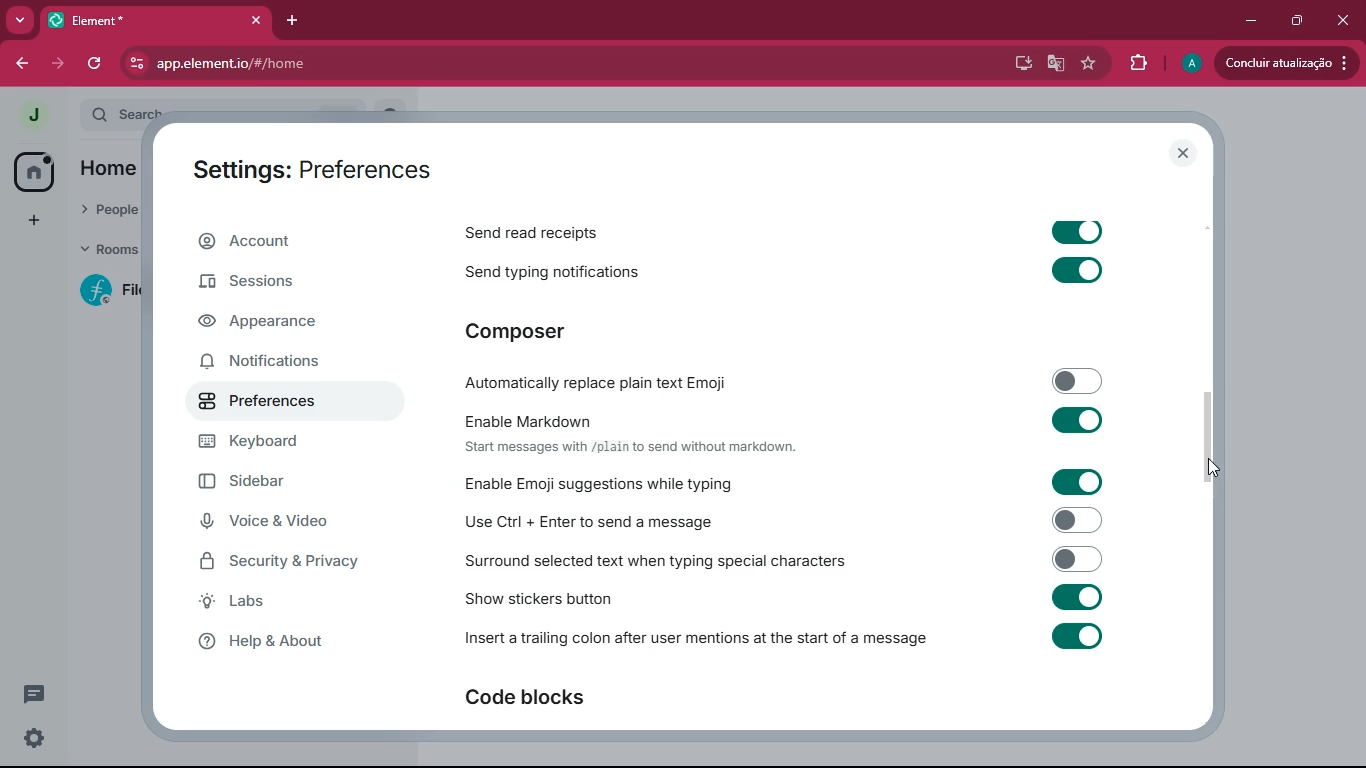  Describe the element at coordinates (295, 643) in the screenshot. I see `help` at that location.